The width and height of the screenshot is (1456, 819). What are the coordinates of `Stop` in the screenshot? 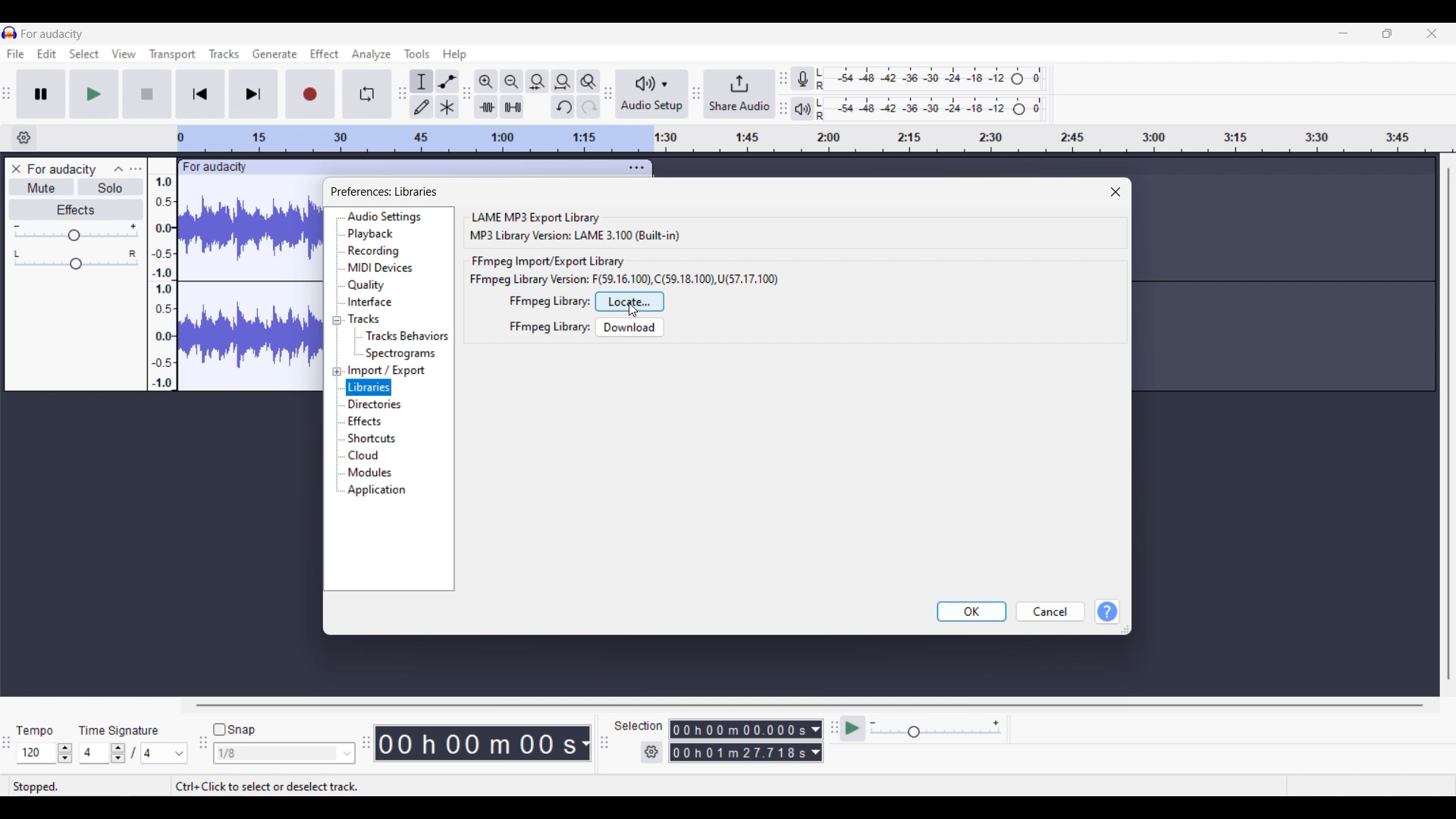 It's located at (147, 94).